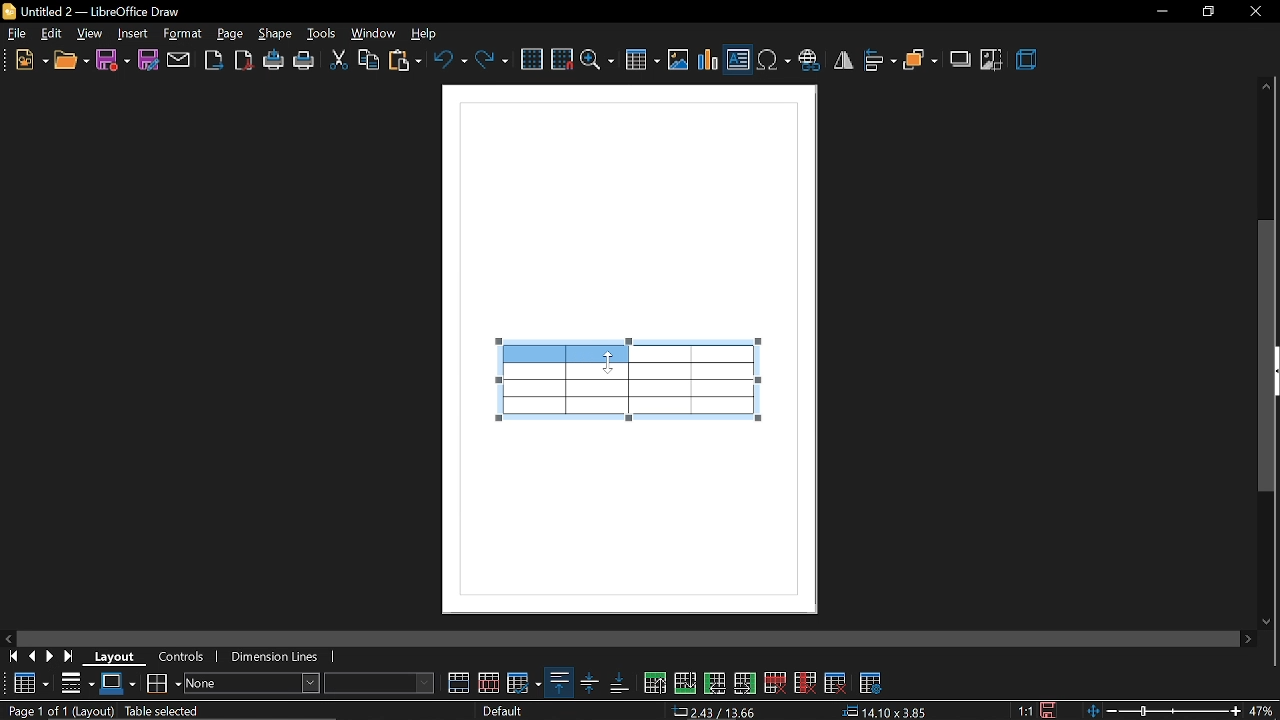  Describe the element at coordinates (119, 657) in the screenshot. I see `layout` at that location.